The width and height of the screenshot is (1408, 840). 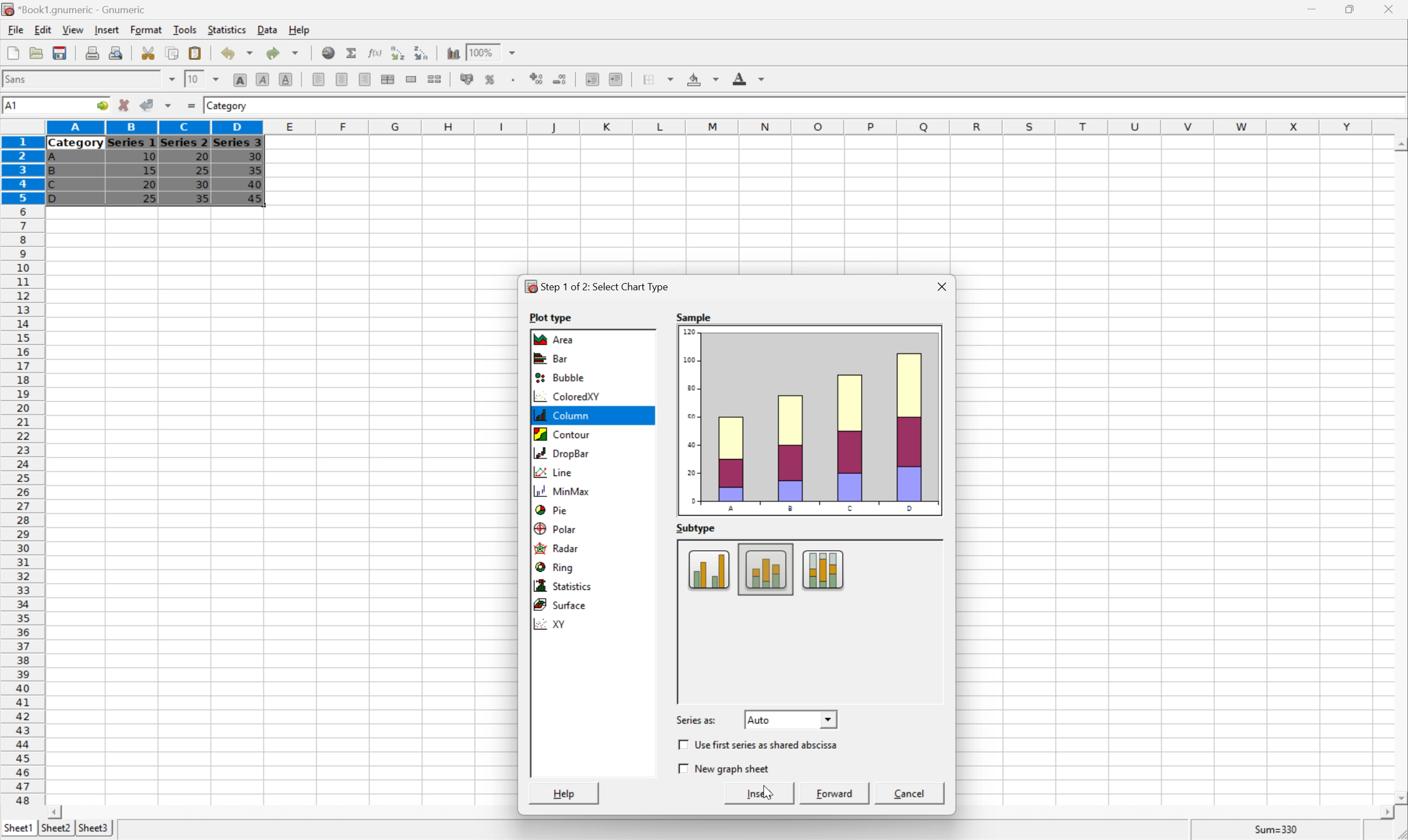 What do you see at coordinates (462, 78) in the screenshot?
I see `Format the selection as accounting` at bounding box center [462, 78].